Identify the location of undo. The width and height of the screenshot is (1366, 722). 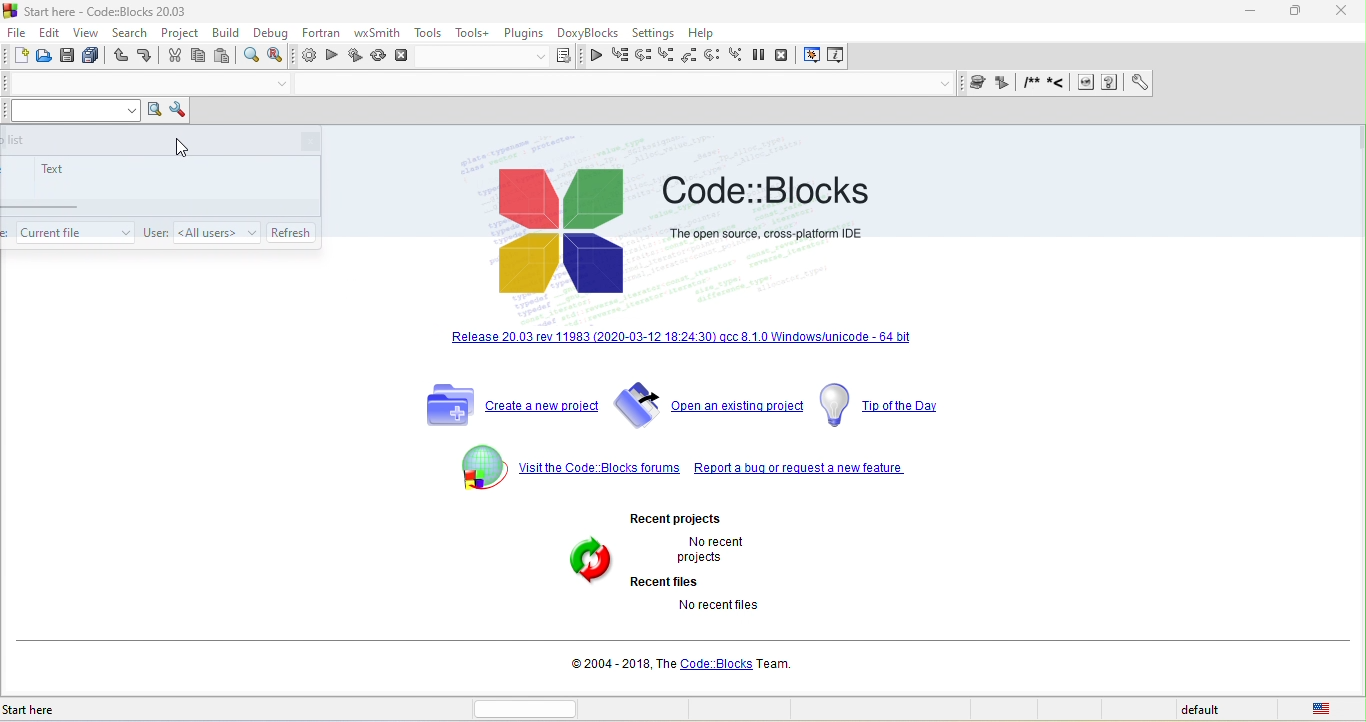
(120, 58).